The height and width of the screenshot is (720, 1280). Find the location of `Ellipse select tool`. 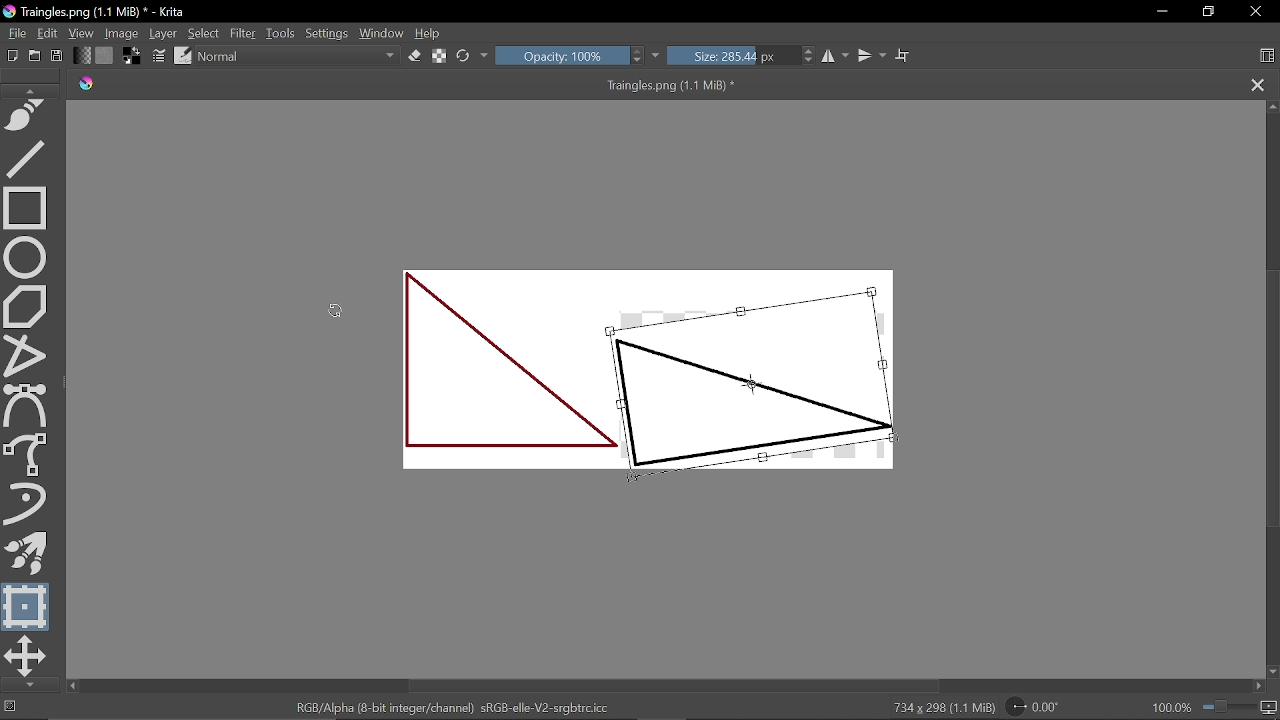

Ellipse select tool is located at coordinates (29, 255).